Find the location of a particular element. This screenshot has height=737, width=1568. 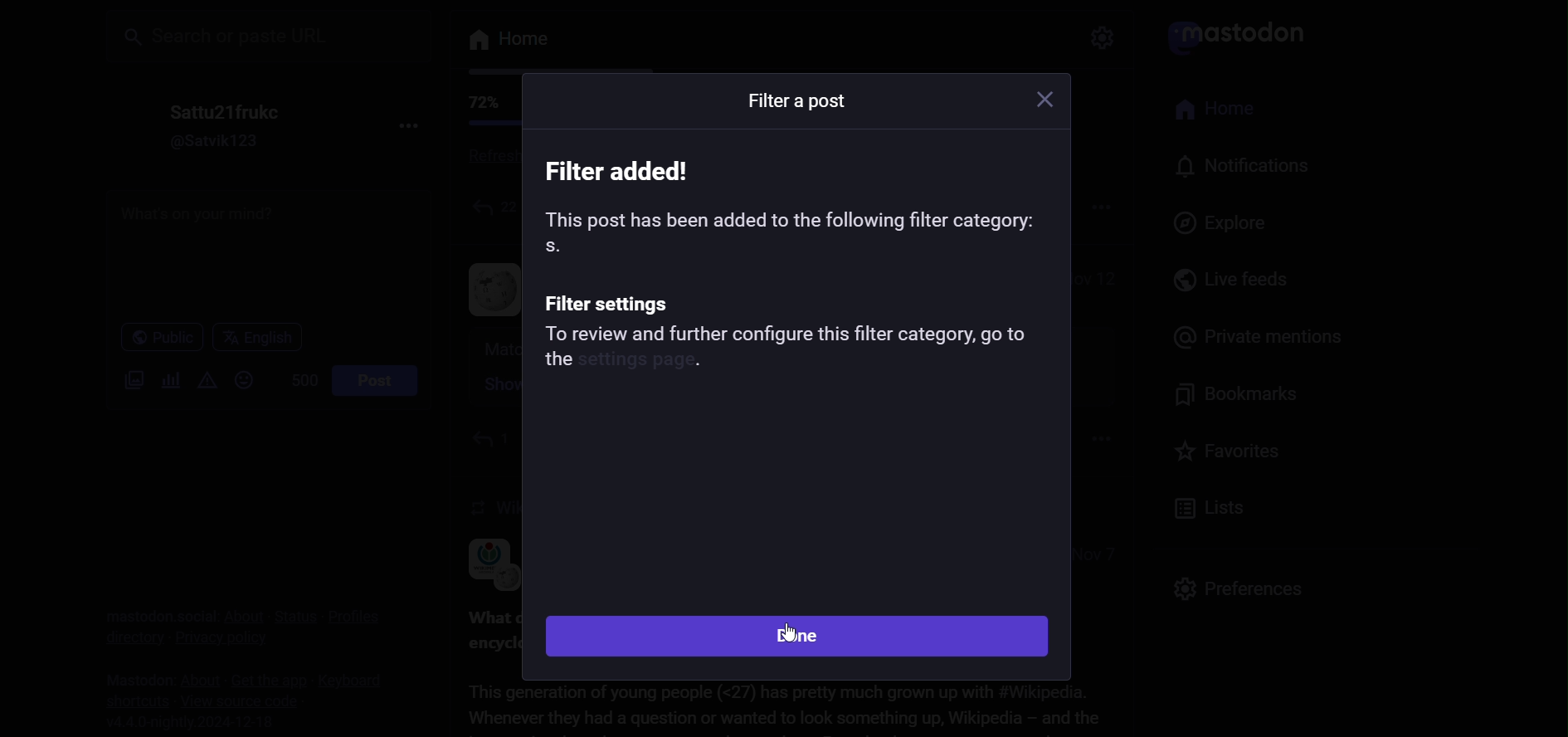

search is located at coordinates (267, 34).